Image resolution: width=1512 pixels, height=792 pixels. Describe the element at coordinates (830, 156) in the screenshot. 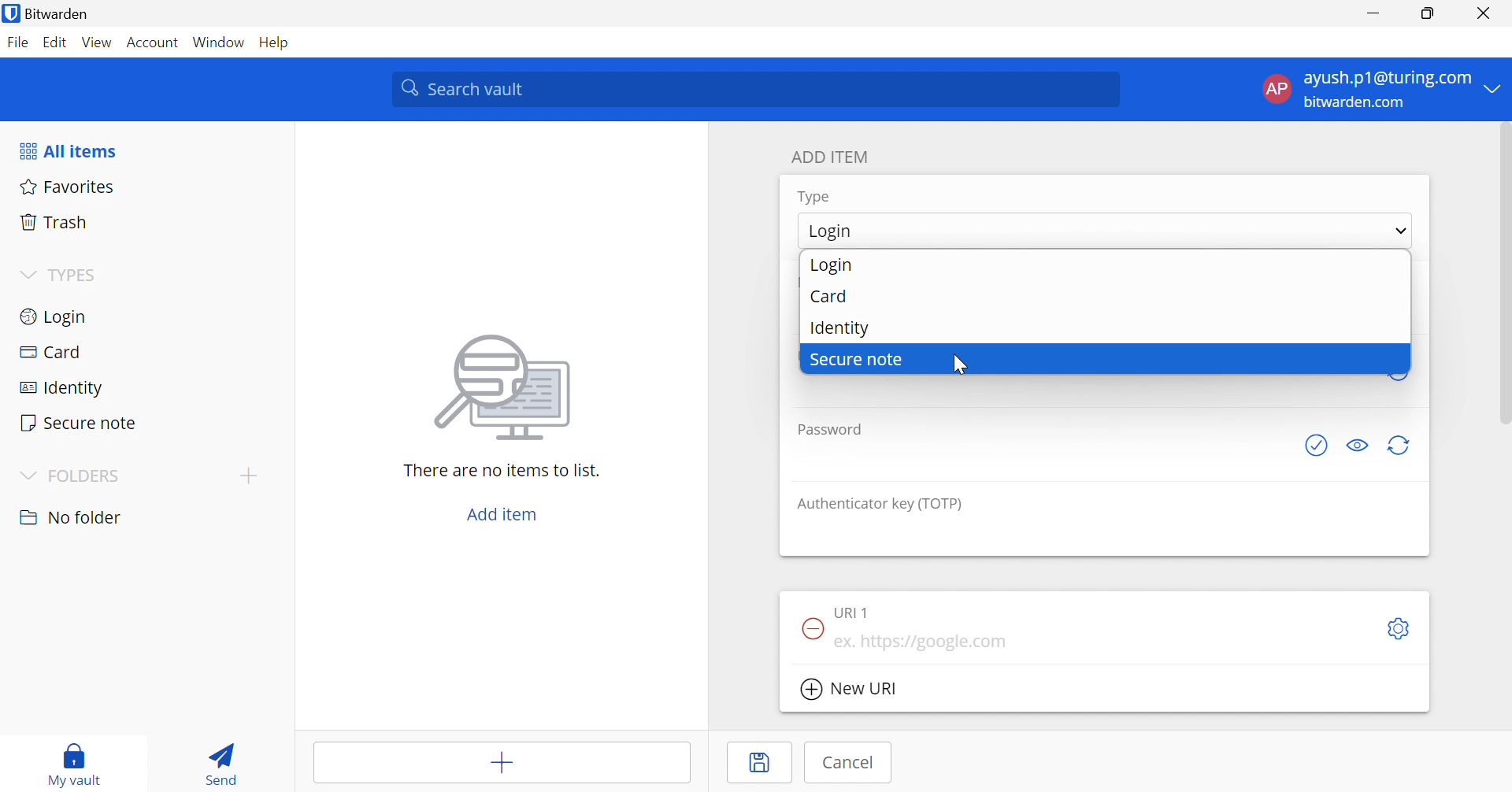

I see `ADD ITEM` at that location.